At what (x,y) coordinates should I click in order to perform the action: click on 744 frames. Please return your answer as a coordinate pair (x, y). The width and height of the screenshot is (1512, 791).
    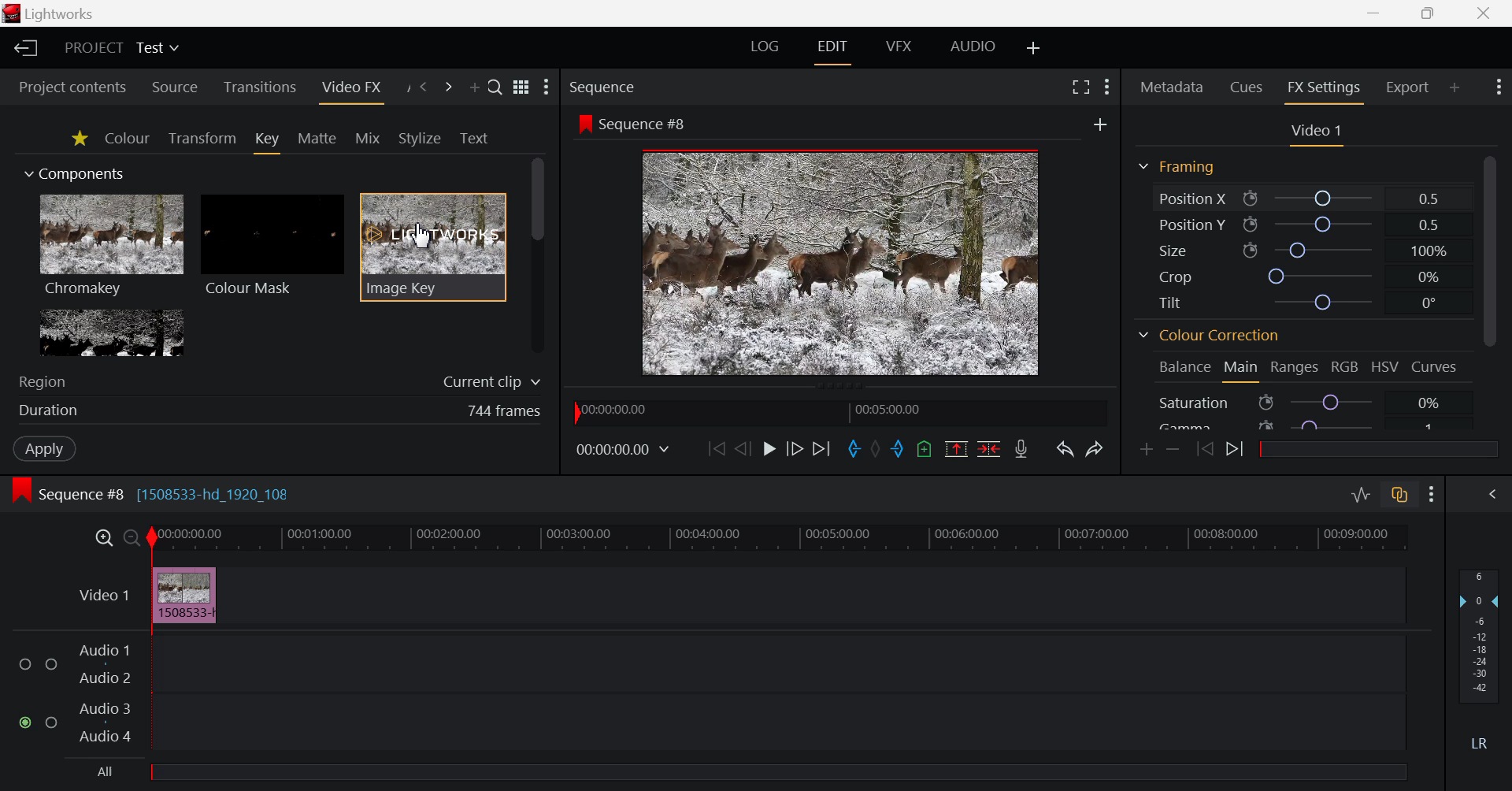
    Looking at the image, I should click on (504, 410).